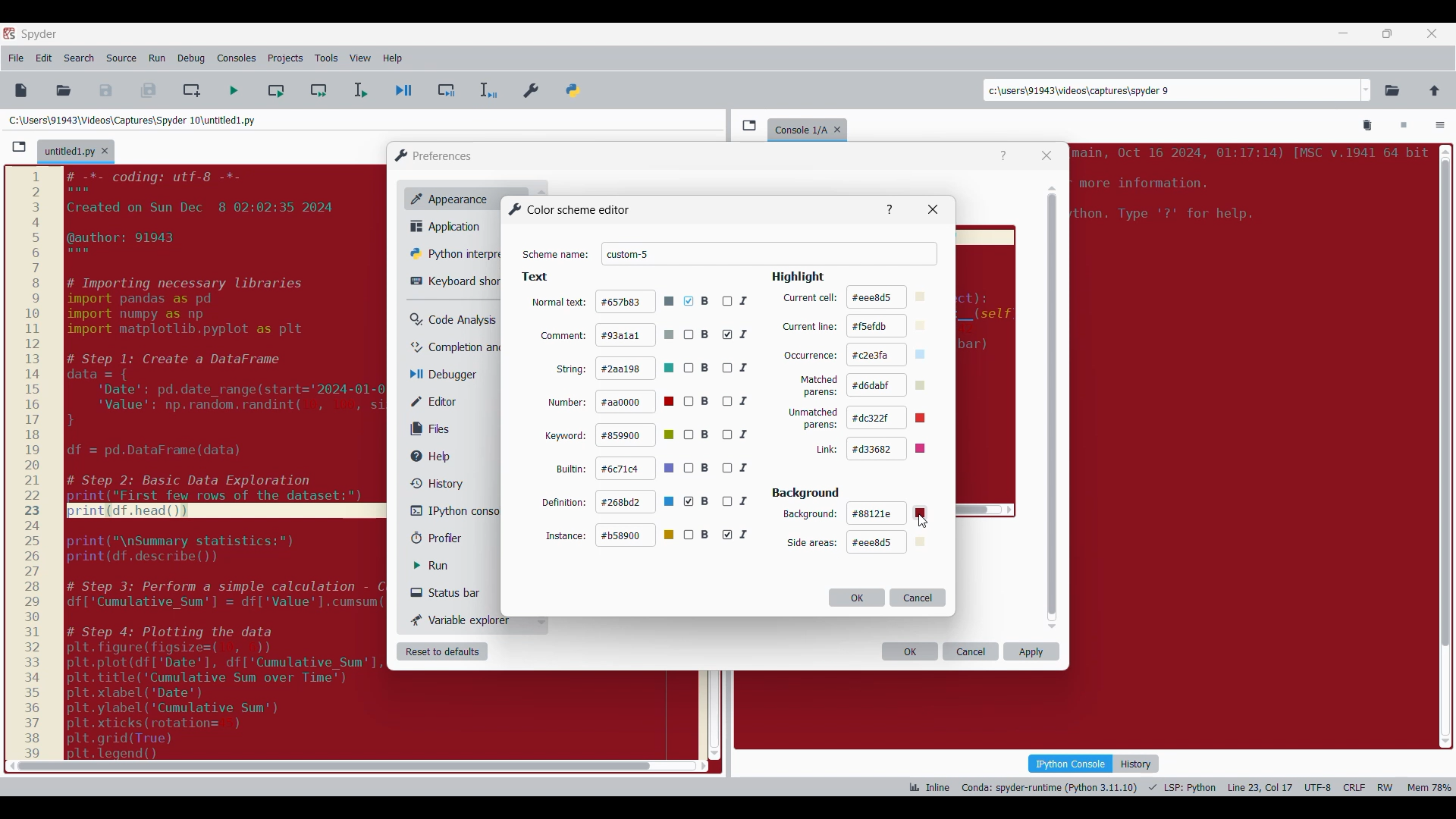 This screenshot has height=819, width=1456. Describe the element at coordinates (1070, 763) in the screenshot. I see `IPython console` at that location.